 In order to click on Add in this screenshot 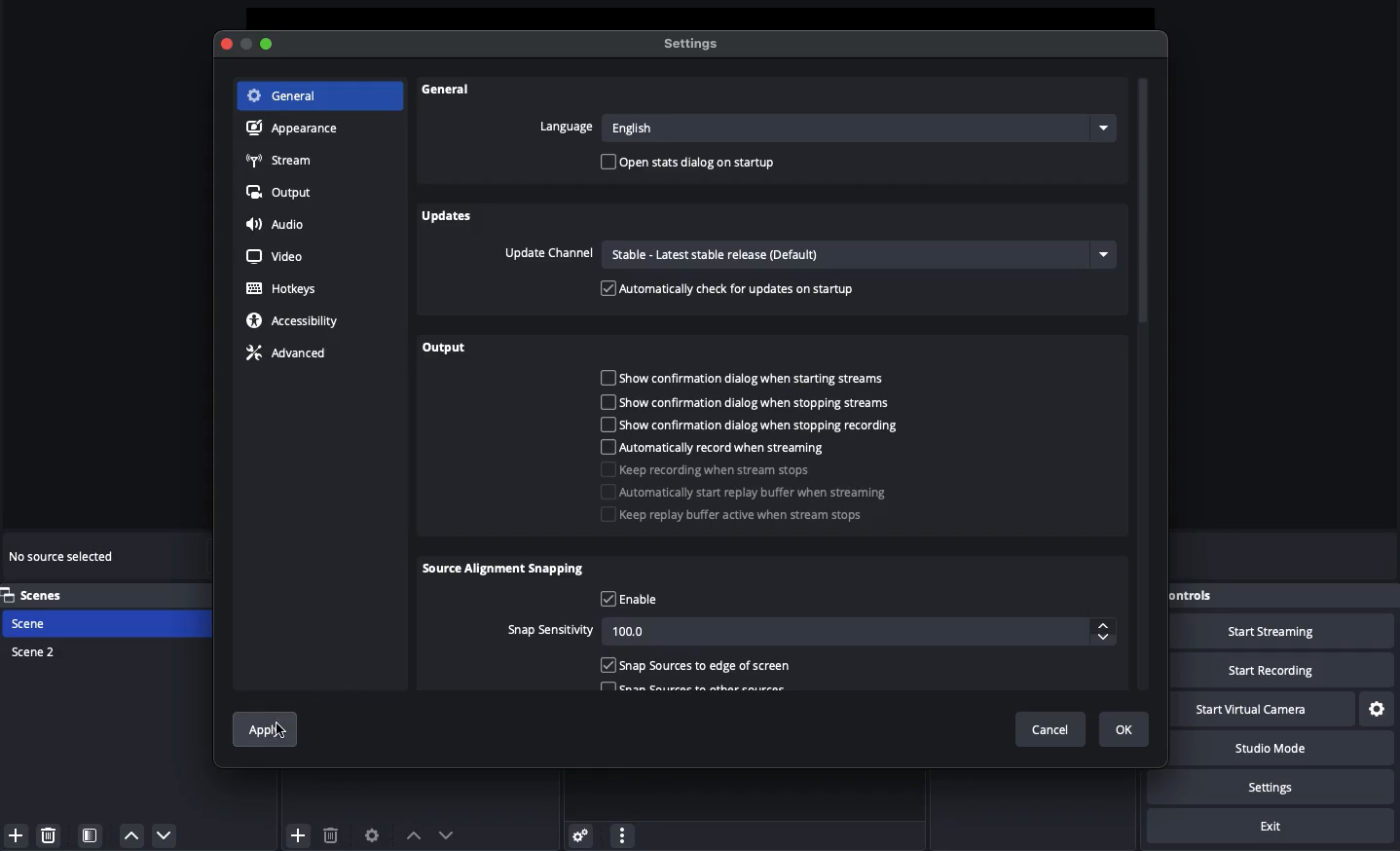, I will do `click(14, 833)`.